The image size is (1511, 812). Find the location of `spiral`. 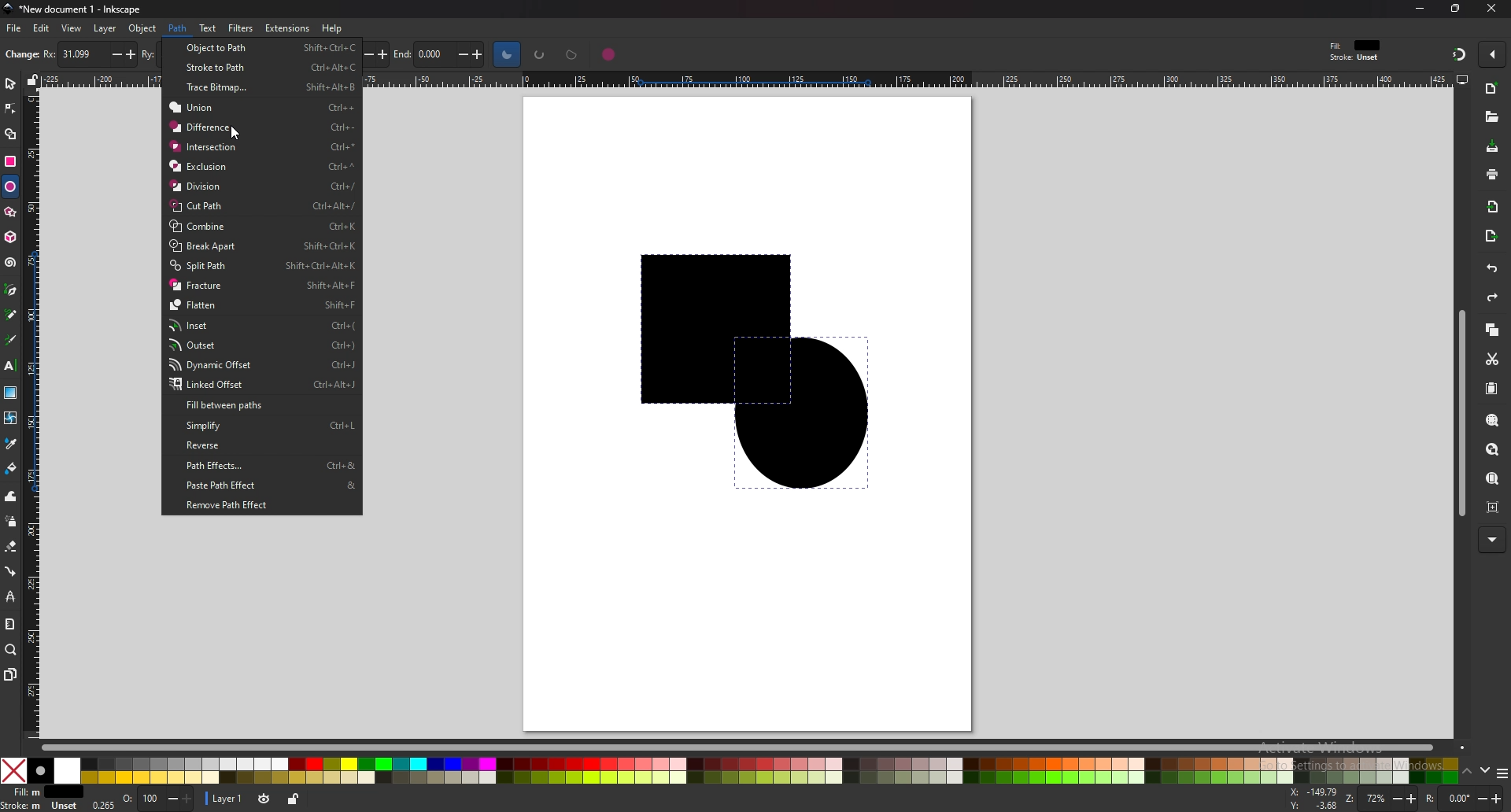

spiral is located at coordinates (11, 262).